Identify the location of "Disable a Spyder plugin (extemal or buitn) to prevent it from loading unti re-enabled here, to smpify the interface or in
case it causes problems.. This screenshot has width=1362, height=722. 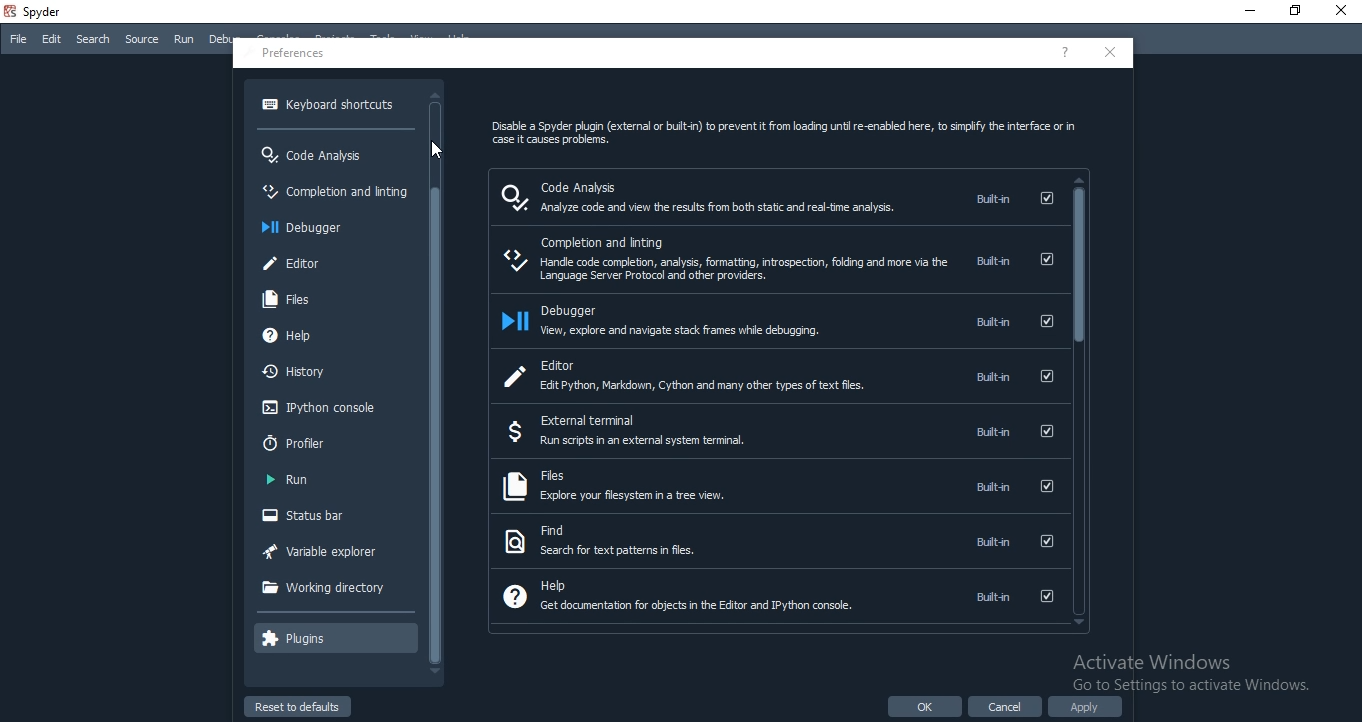
(787, 134).